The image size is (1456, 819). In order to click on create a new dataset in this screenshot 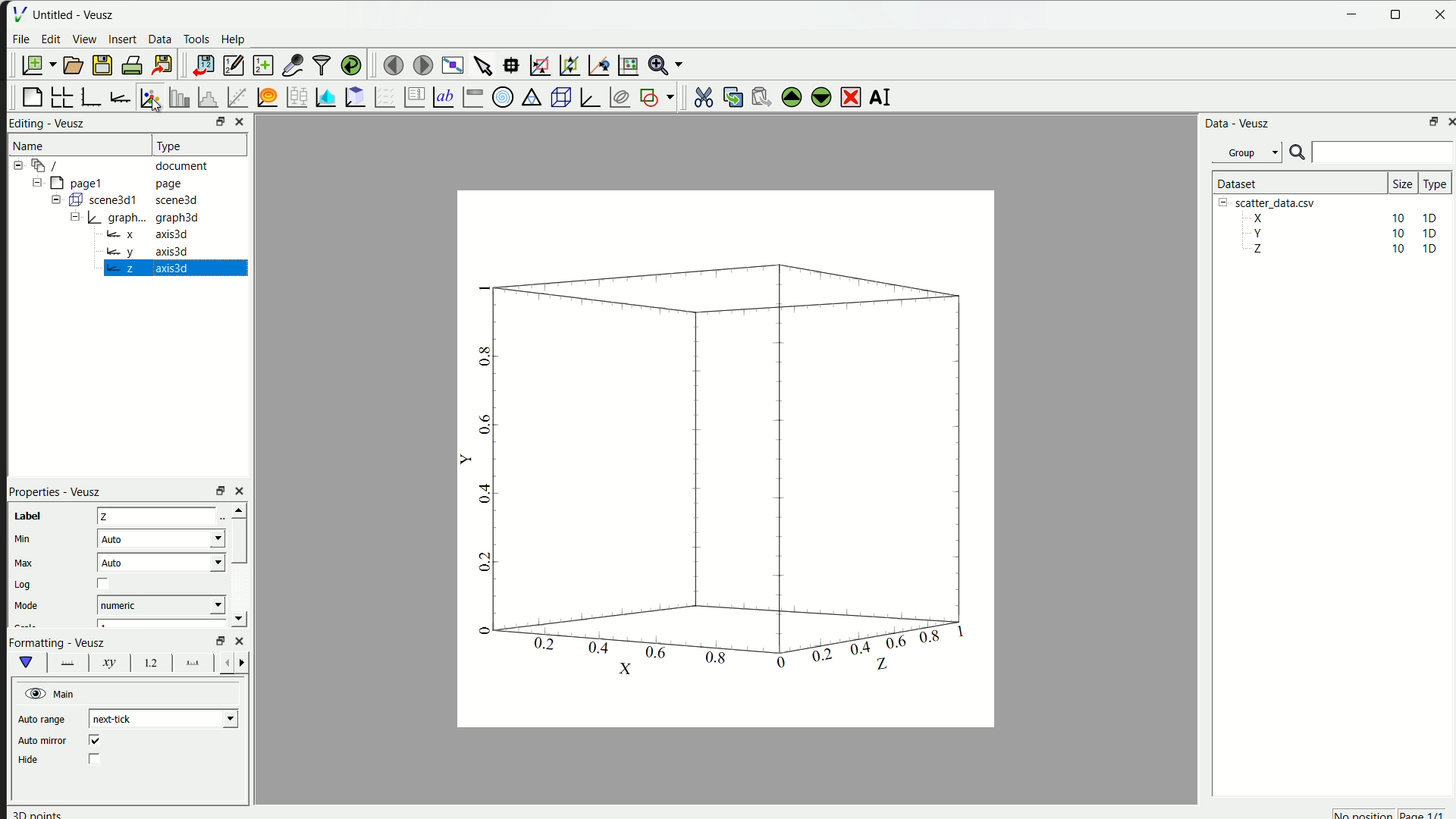, I will do `click(262, 64)`.